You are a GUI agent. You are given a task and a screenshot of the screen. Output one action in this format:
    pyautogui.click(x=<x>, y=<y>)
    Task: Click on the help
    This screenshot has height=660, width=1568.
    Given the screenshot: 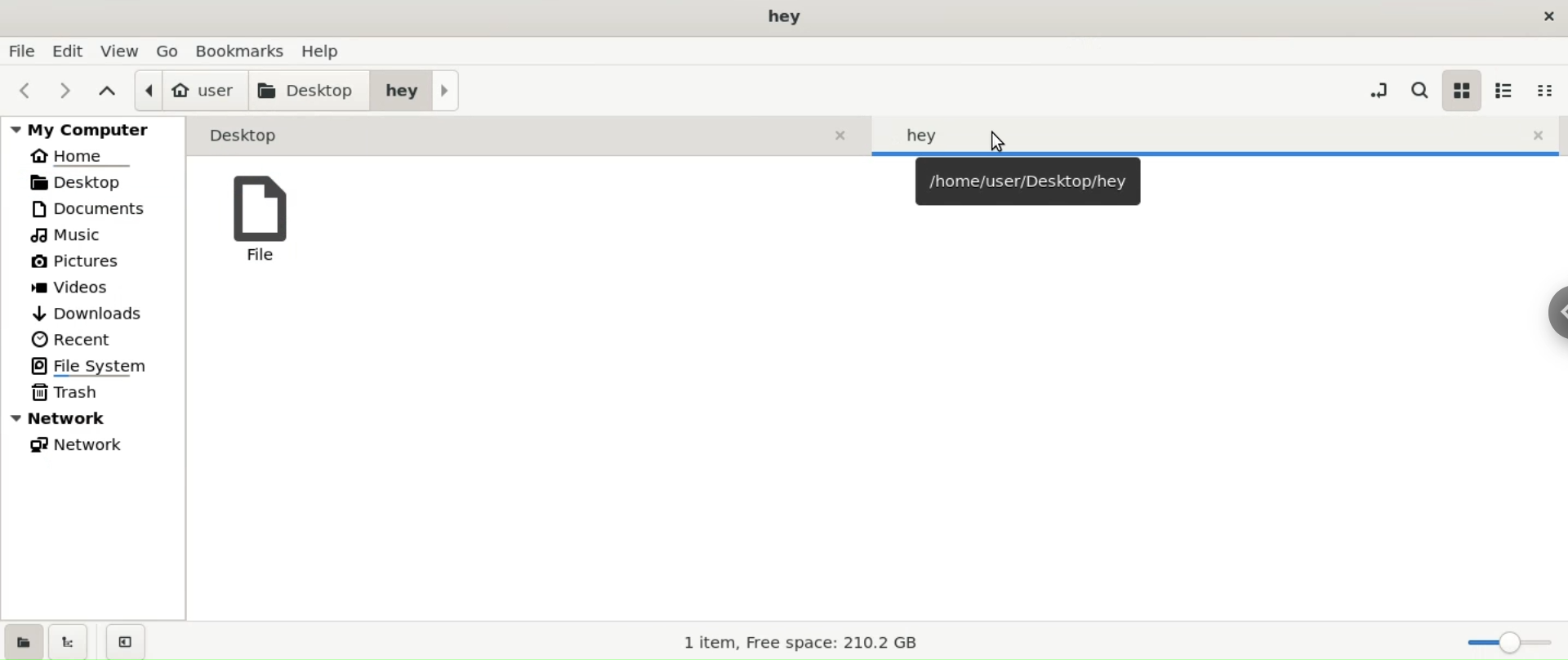 What is the action you would take?
    pyautogui.click(x=328, y=51)
    